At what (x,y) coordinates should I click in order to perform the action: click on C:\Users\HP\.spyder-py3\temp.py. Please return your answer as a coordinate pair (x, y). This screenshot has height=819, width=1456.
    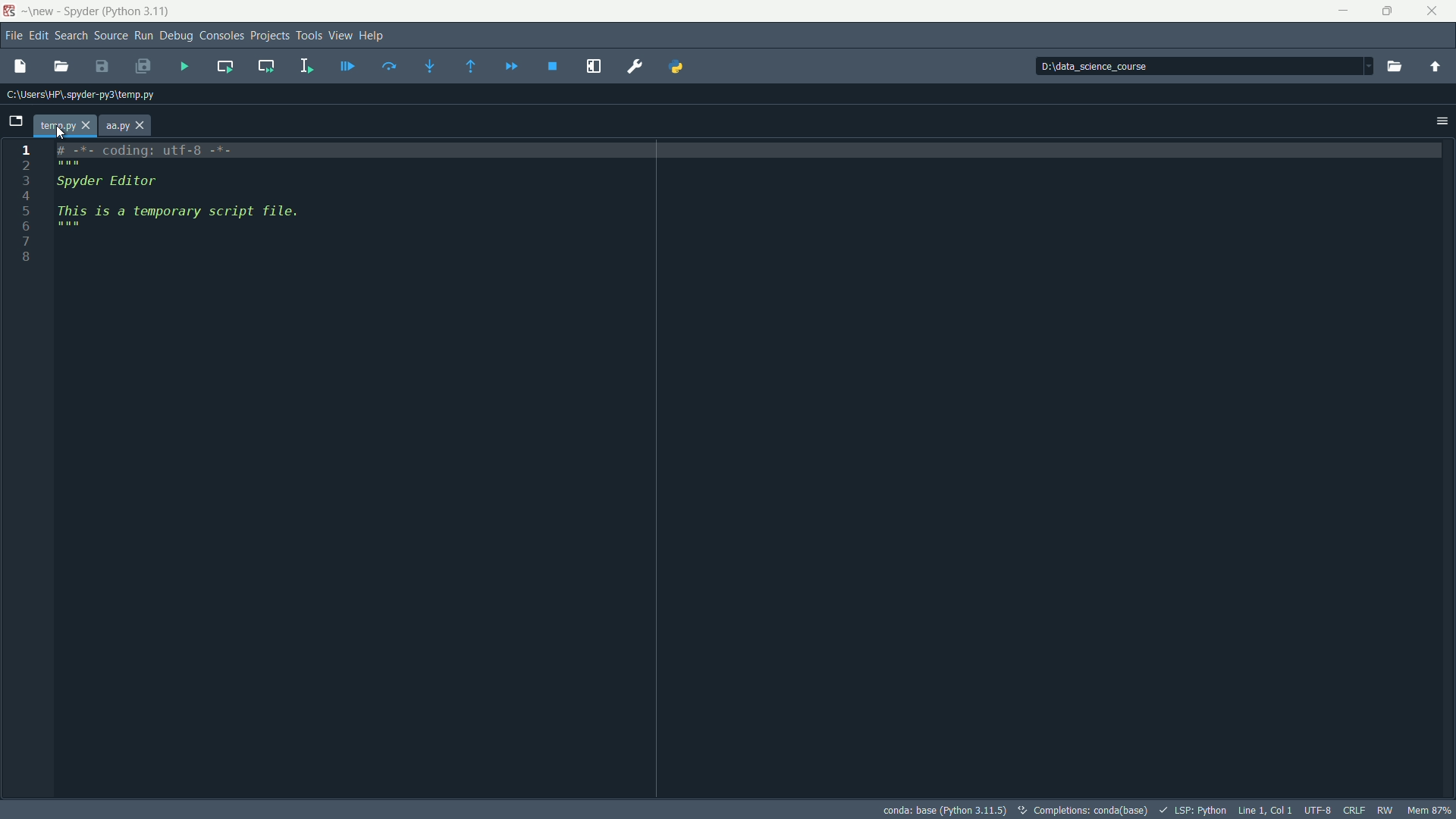
    Looking at the image, I should click on (80, 93).